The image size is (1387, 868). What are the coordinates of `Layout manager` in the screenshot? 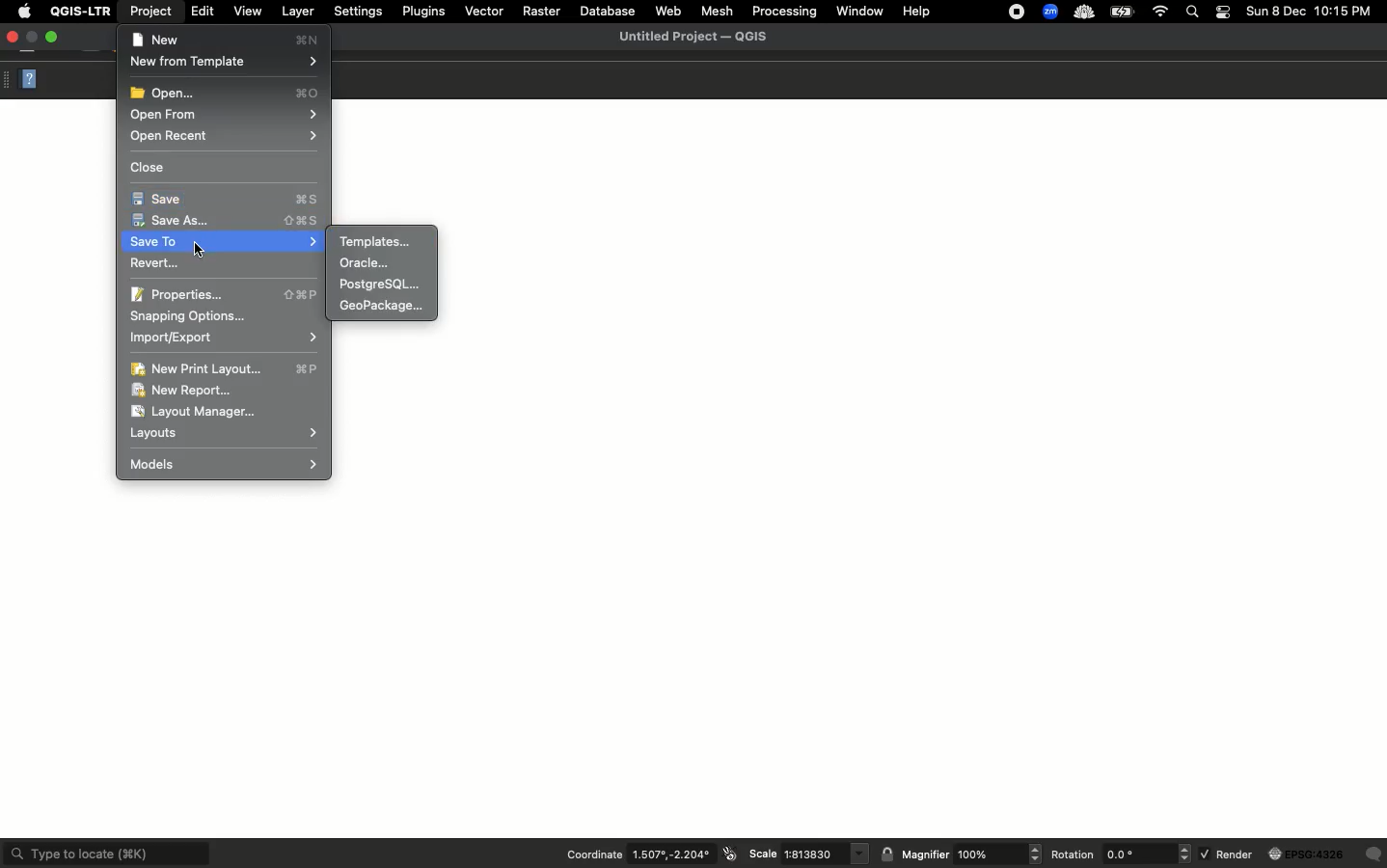 It's located at (209, 413).